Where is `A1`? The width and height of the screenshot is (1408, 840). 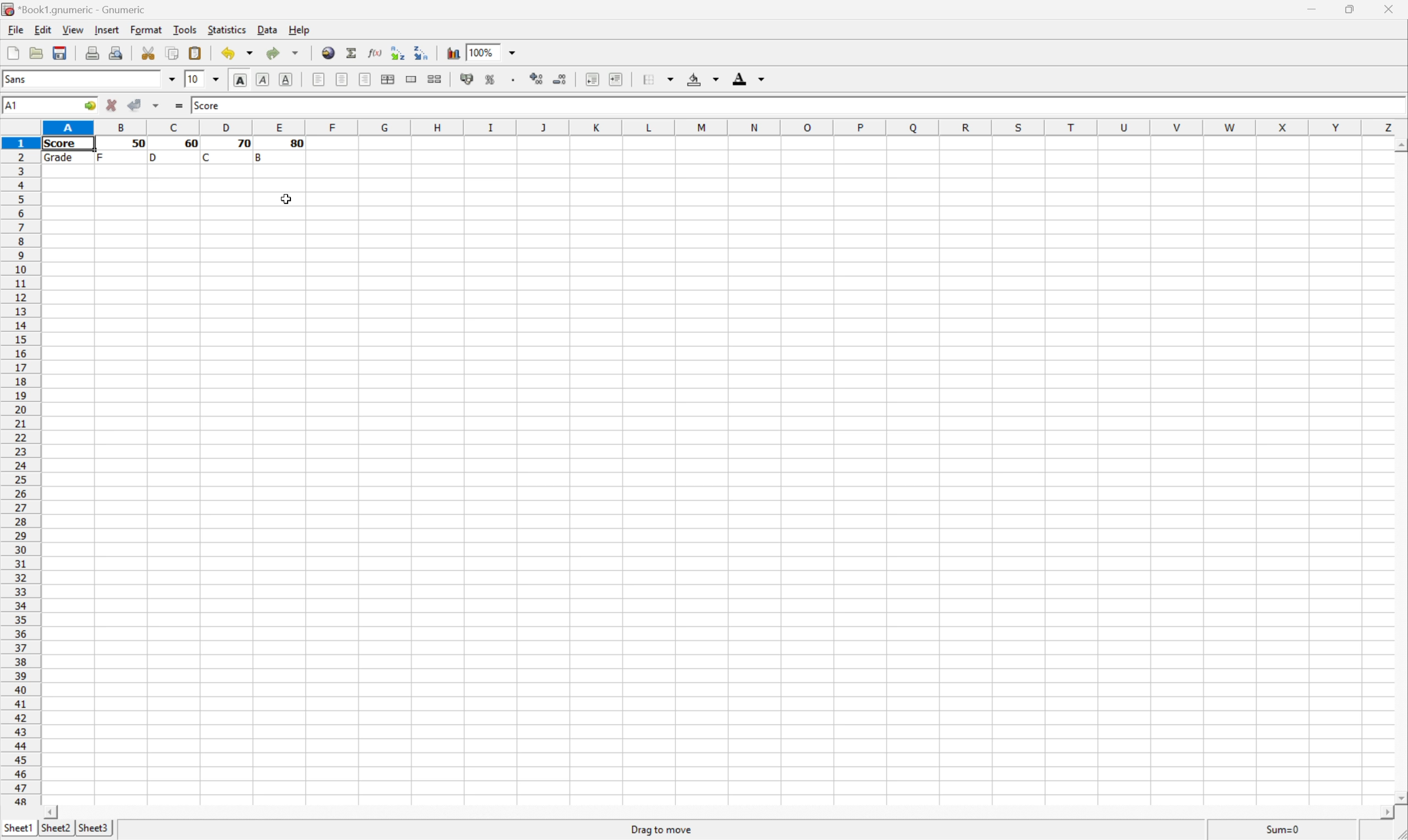
A1 is located at coordinates (12, 106).